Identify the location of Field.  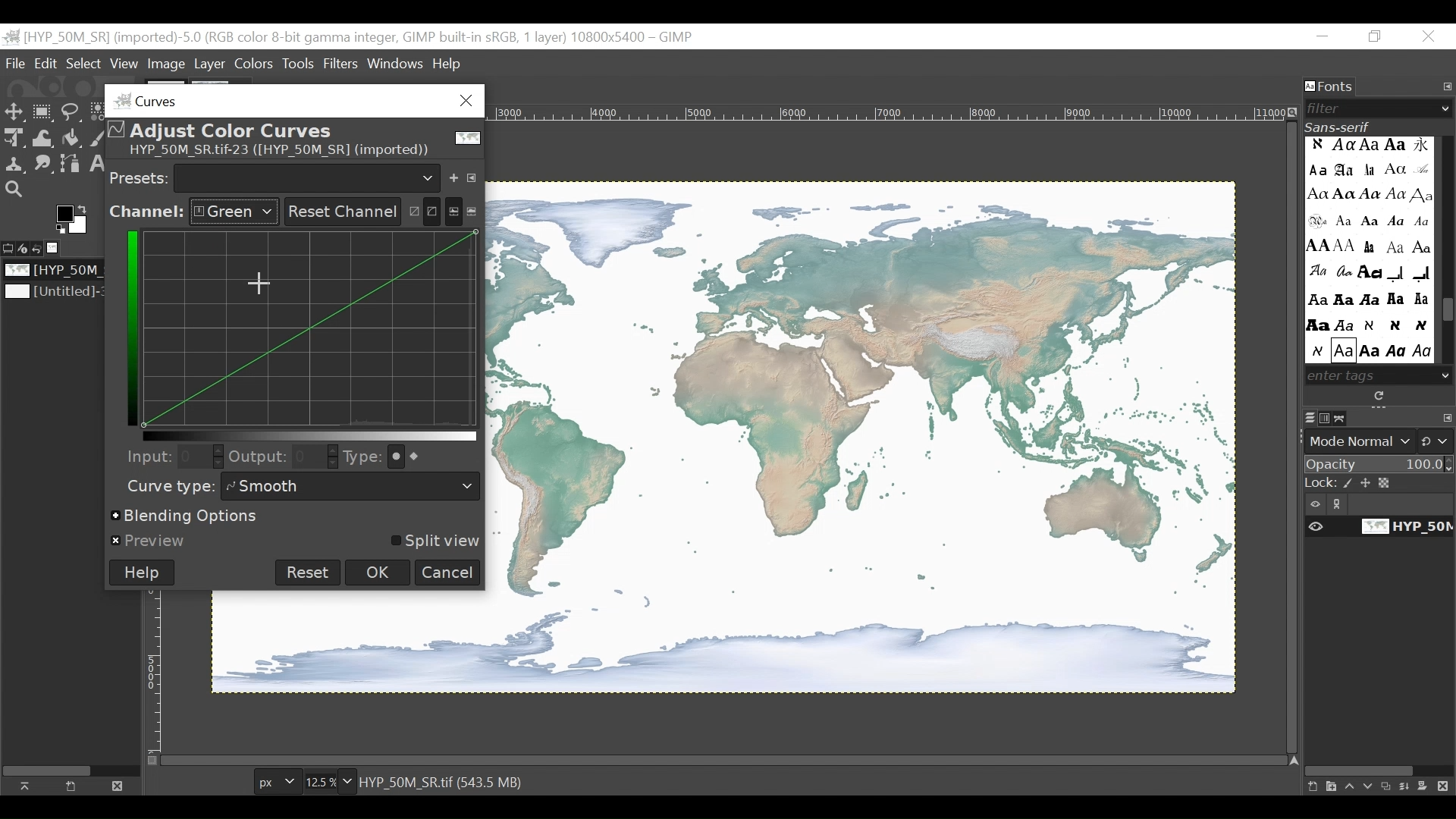
(316, 457).